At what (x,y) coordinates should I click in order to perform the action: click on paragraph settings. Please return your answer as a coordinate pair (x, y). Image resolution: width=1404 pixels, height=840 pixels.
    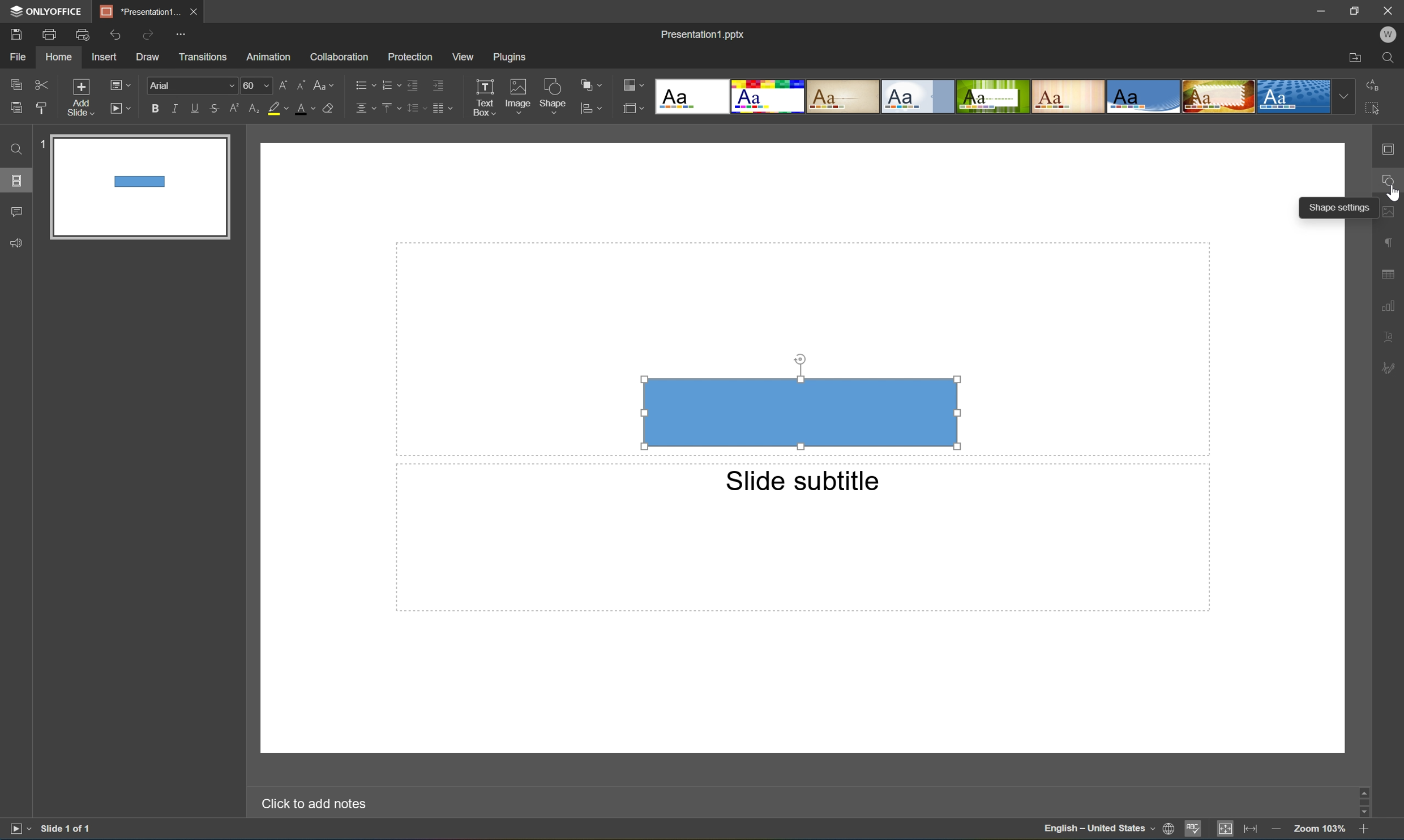
    Looking at the image, I should click on (1389, 242).